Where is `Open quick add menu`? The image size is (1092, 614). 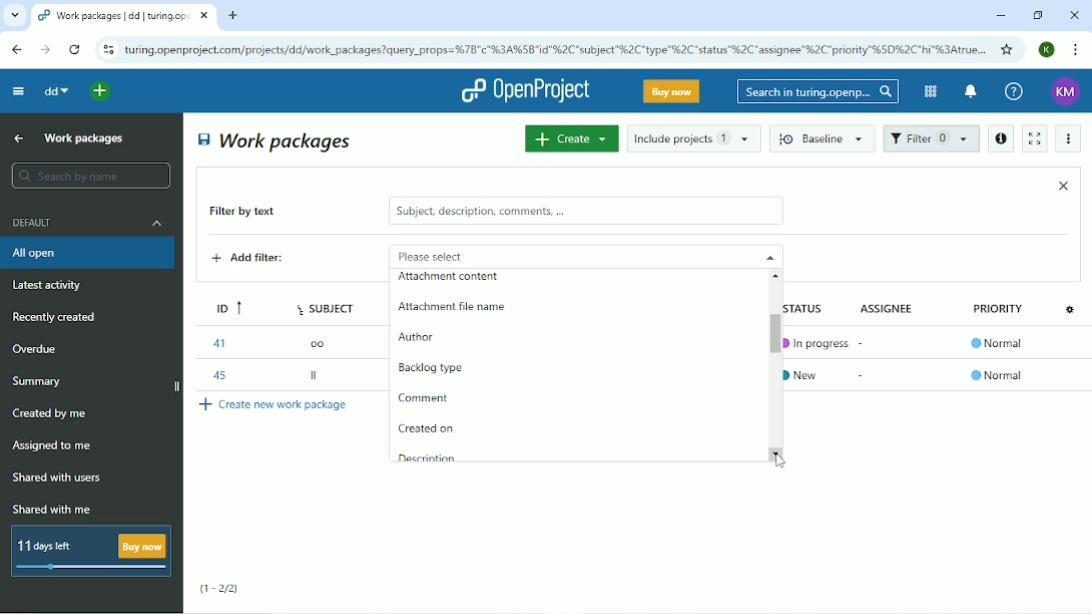
Open quick add menu is located at coordinates (101, 91).